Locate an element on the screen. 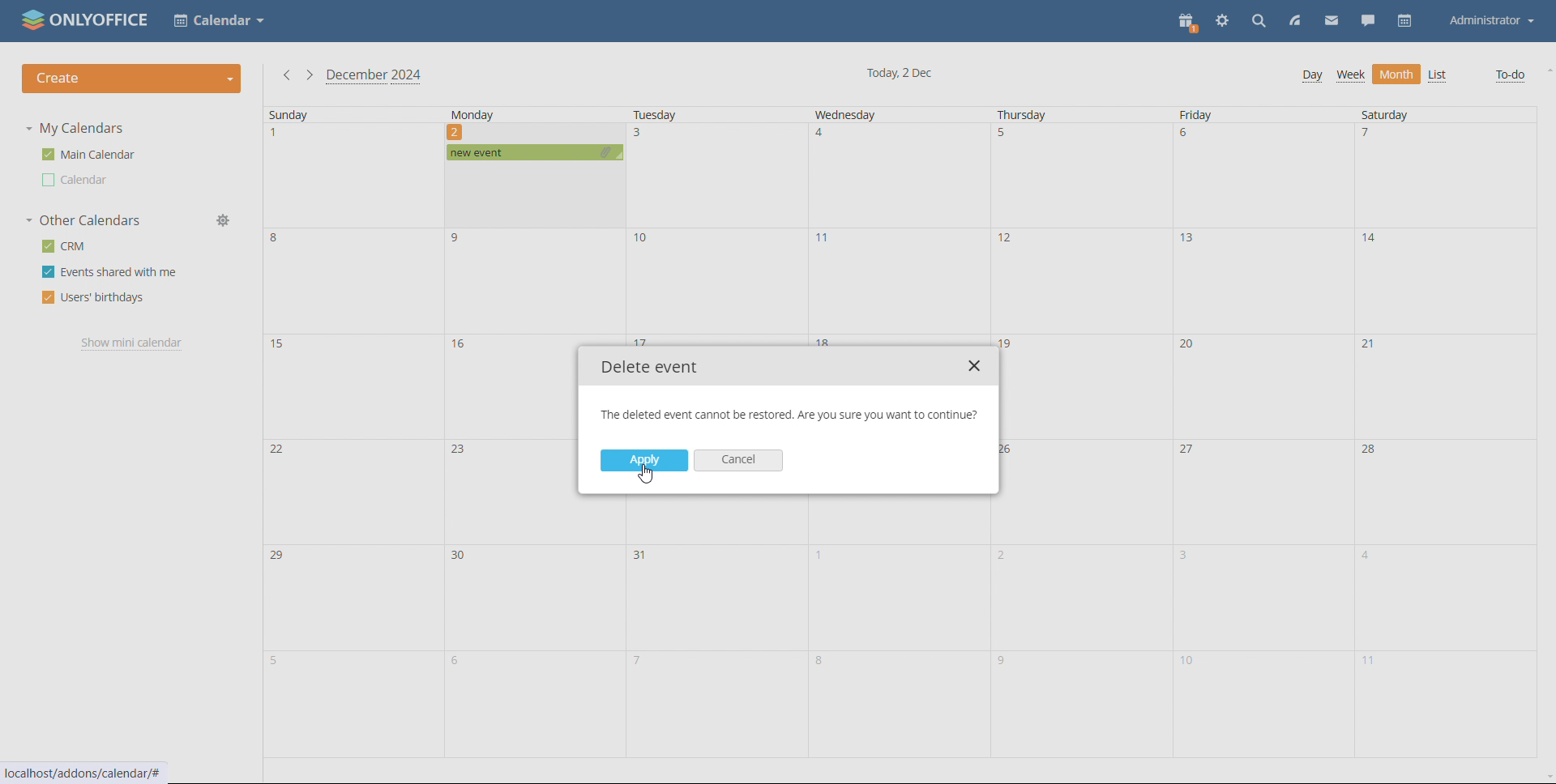 The width and height of the screenshot is (1556, 784). events shared with me is located at coordinates (110, 271).